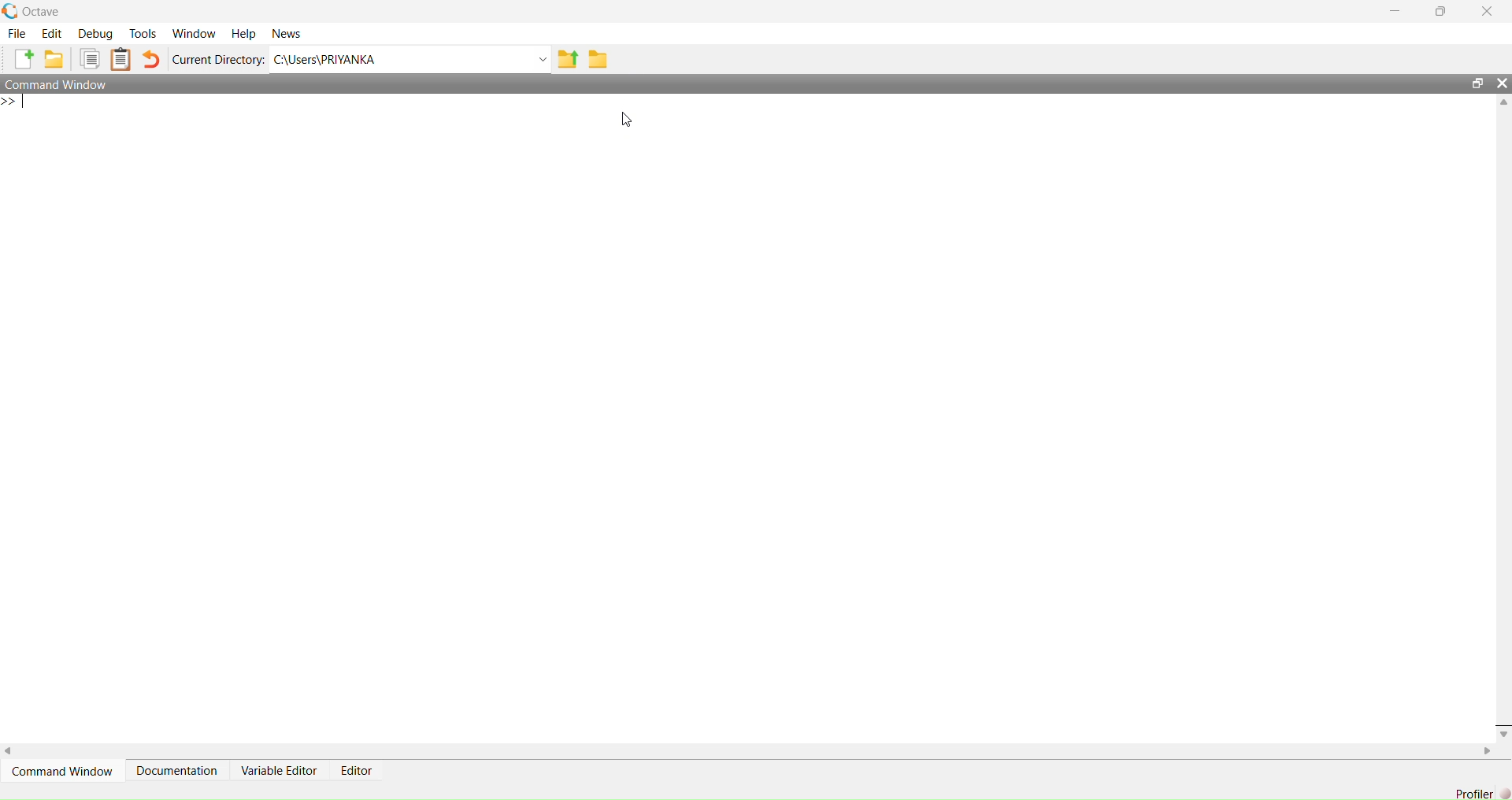 Image resolution: width=1512 pixels, height=800 pixels. Describe the element at coordinates (280, 770) in the screenshot. I see `Variable Editor` at that location.